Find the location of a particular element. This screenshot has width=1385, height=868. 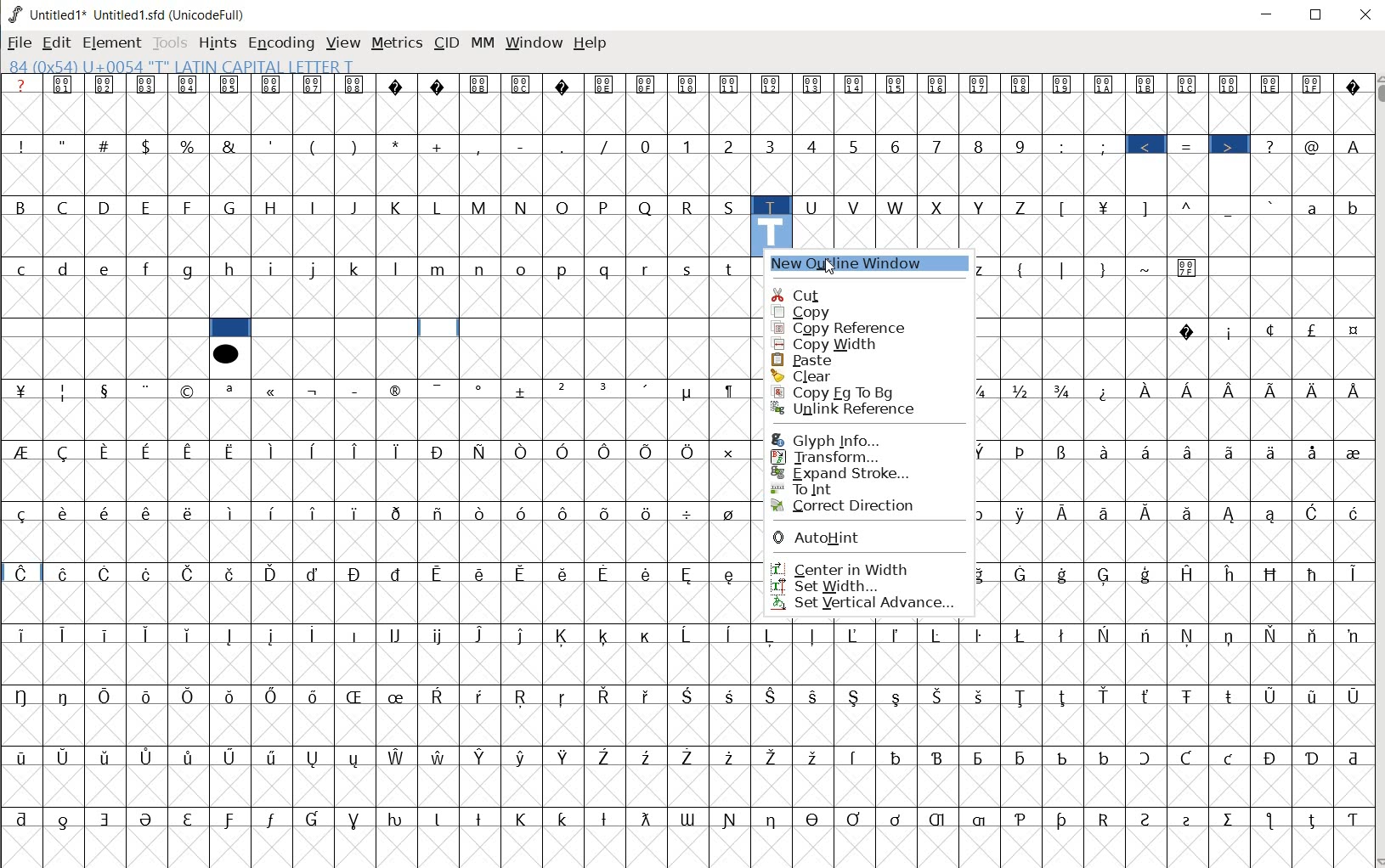

Symbol is located at coordinates (1352, 332).